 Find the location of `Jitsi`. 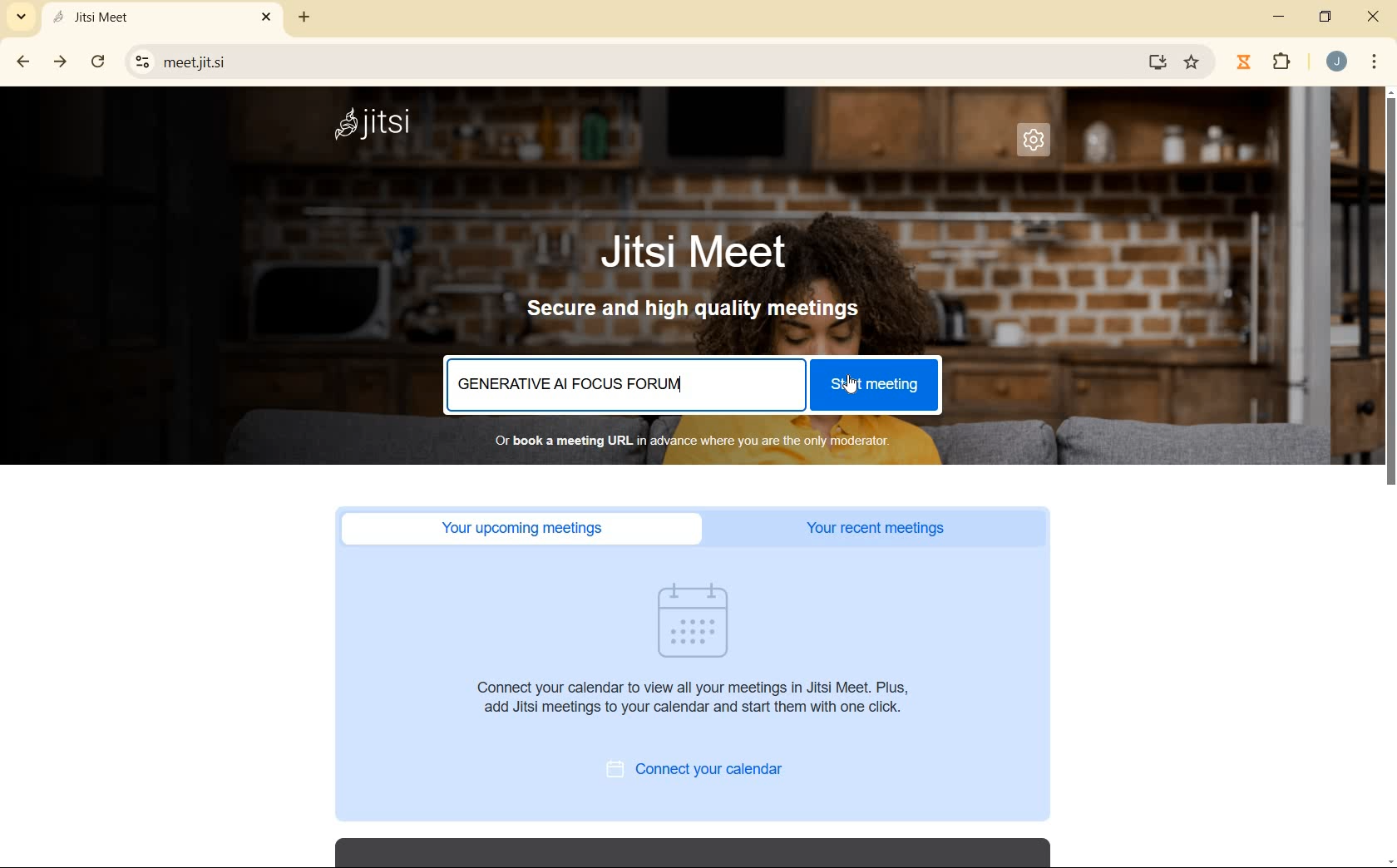

Jitsi is located at coordinates (373, 126).